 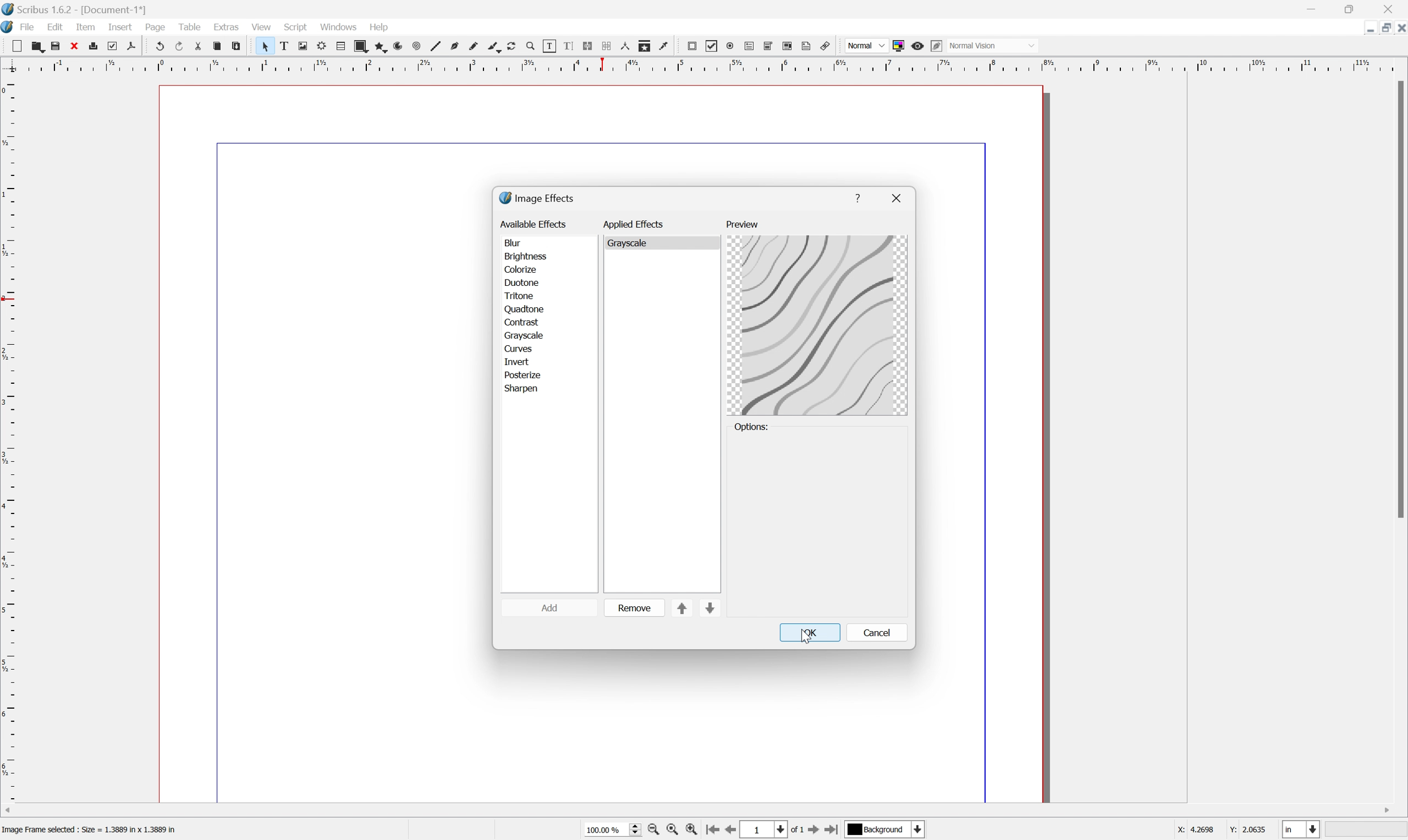 I want to click on of 1, so click(x=799, y=832).